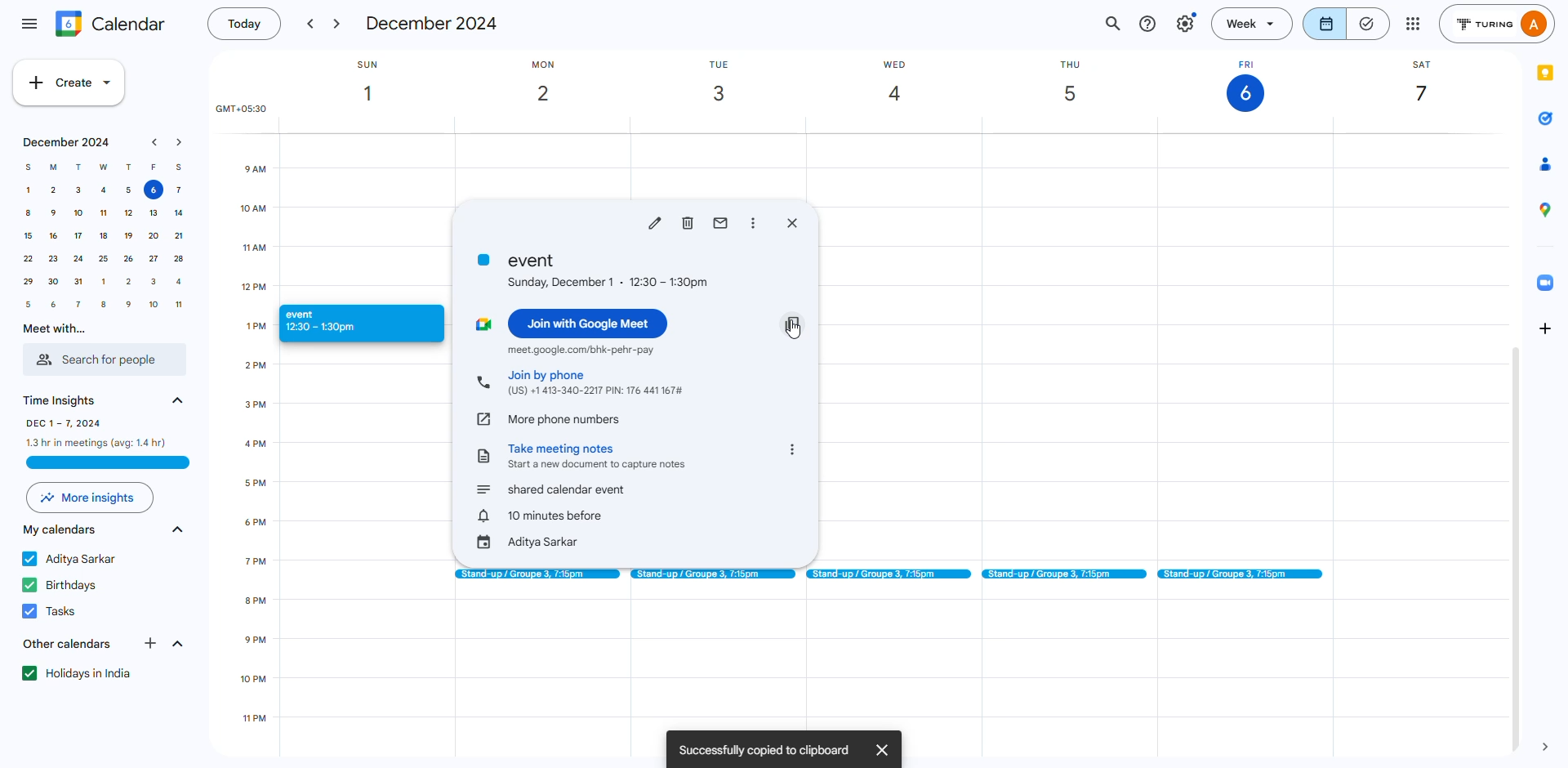  I want to click on tue 3, so click(724, 83).